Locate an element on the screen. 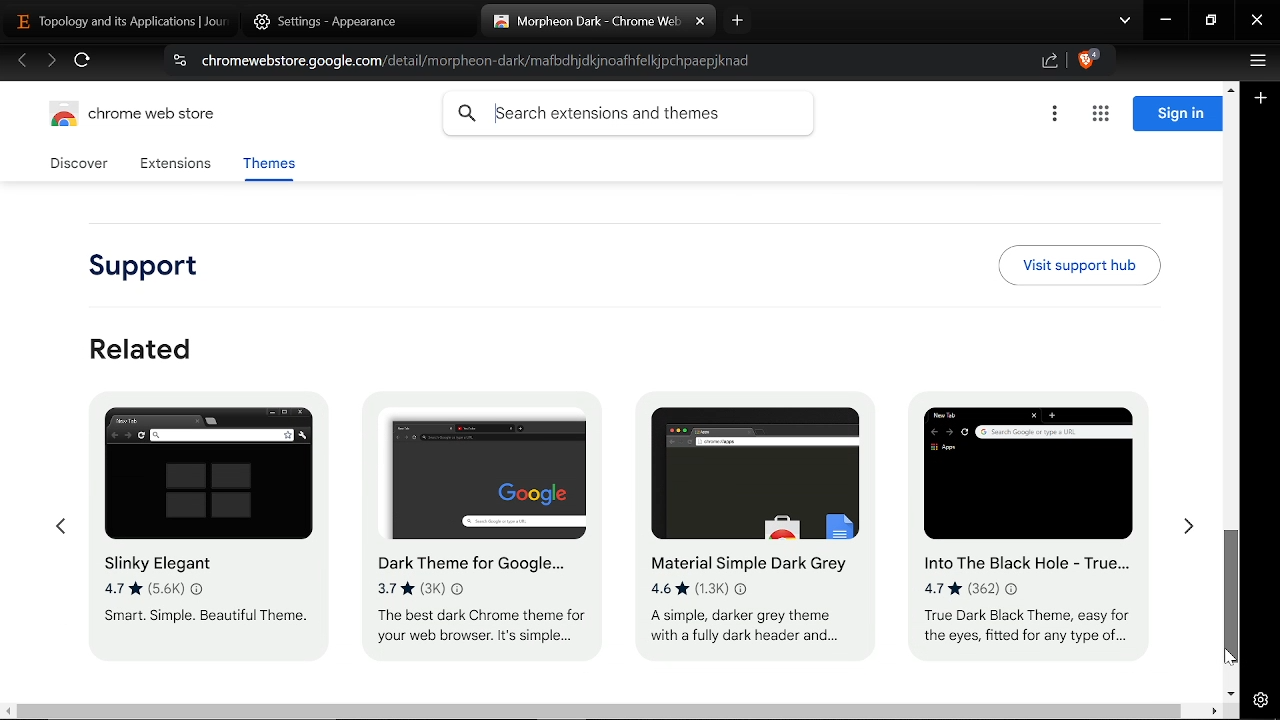 The image size is (1280, 720). scroll bar is located at coordinates (803, 712).